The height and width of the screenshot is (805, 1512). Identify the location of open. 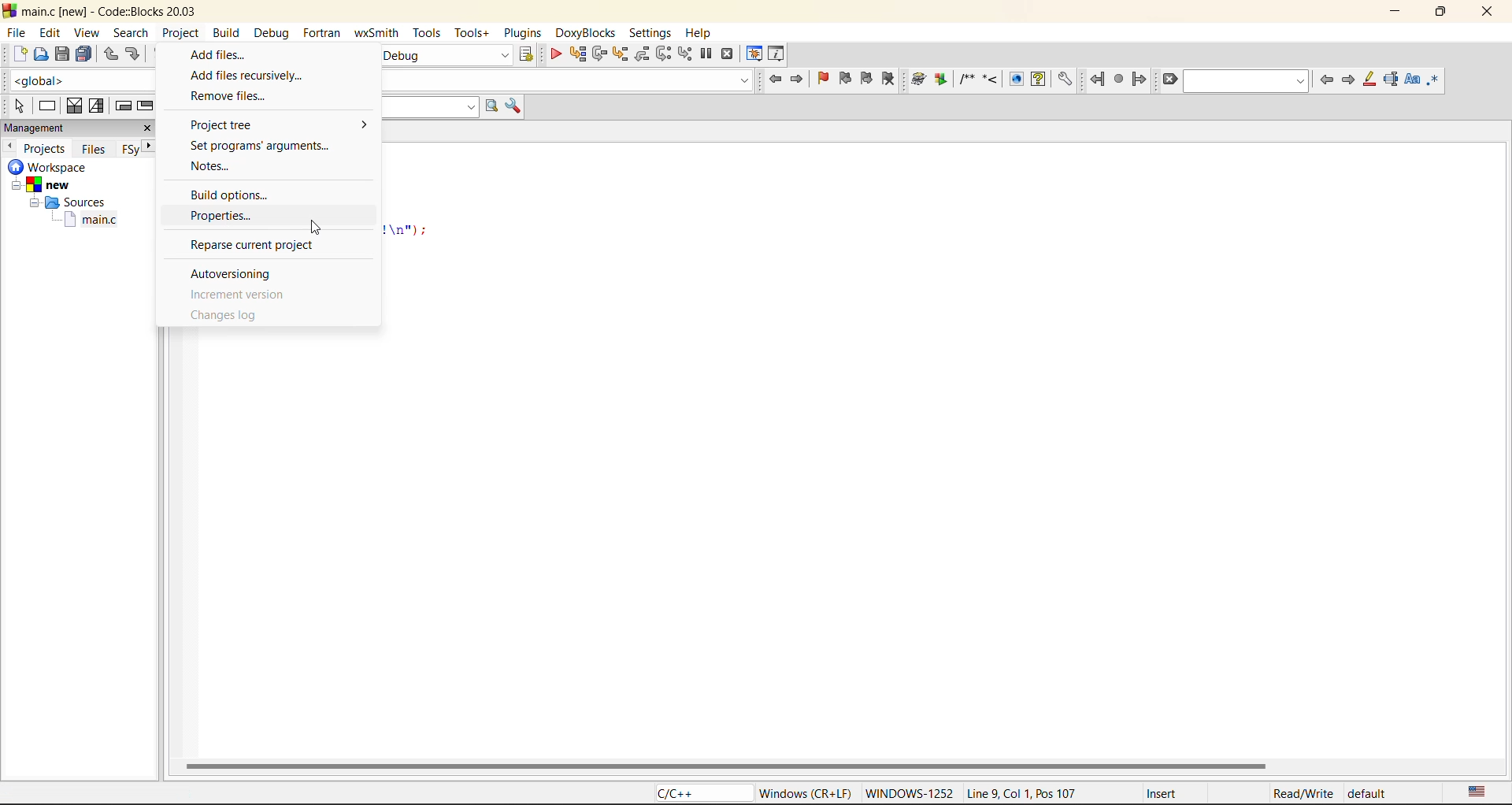
(42, 54).